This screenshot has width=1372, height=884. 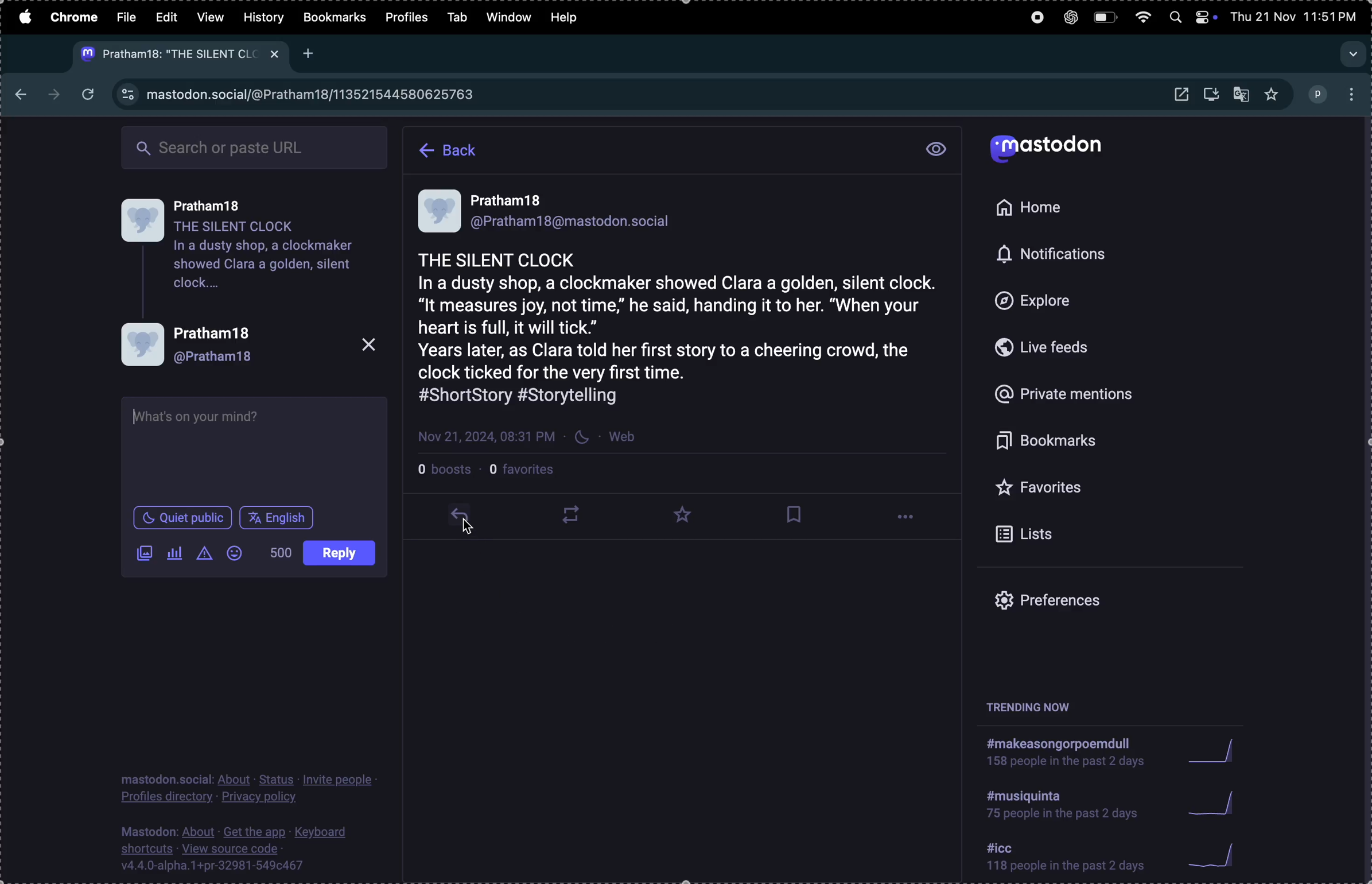 What do you see at coordinates (256, 145) in the screenshot?
I see `searchbar` at bounding box center [256, 145].